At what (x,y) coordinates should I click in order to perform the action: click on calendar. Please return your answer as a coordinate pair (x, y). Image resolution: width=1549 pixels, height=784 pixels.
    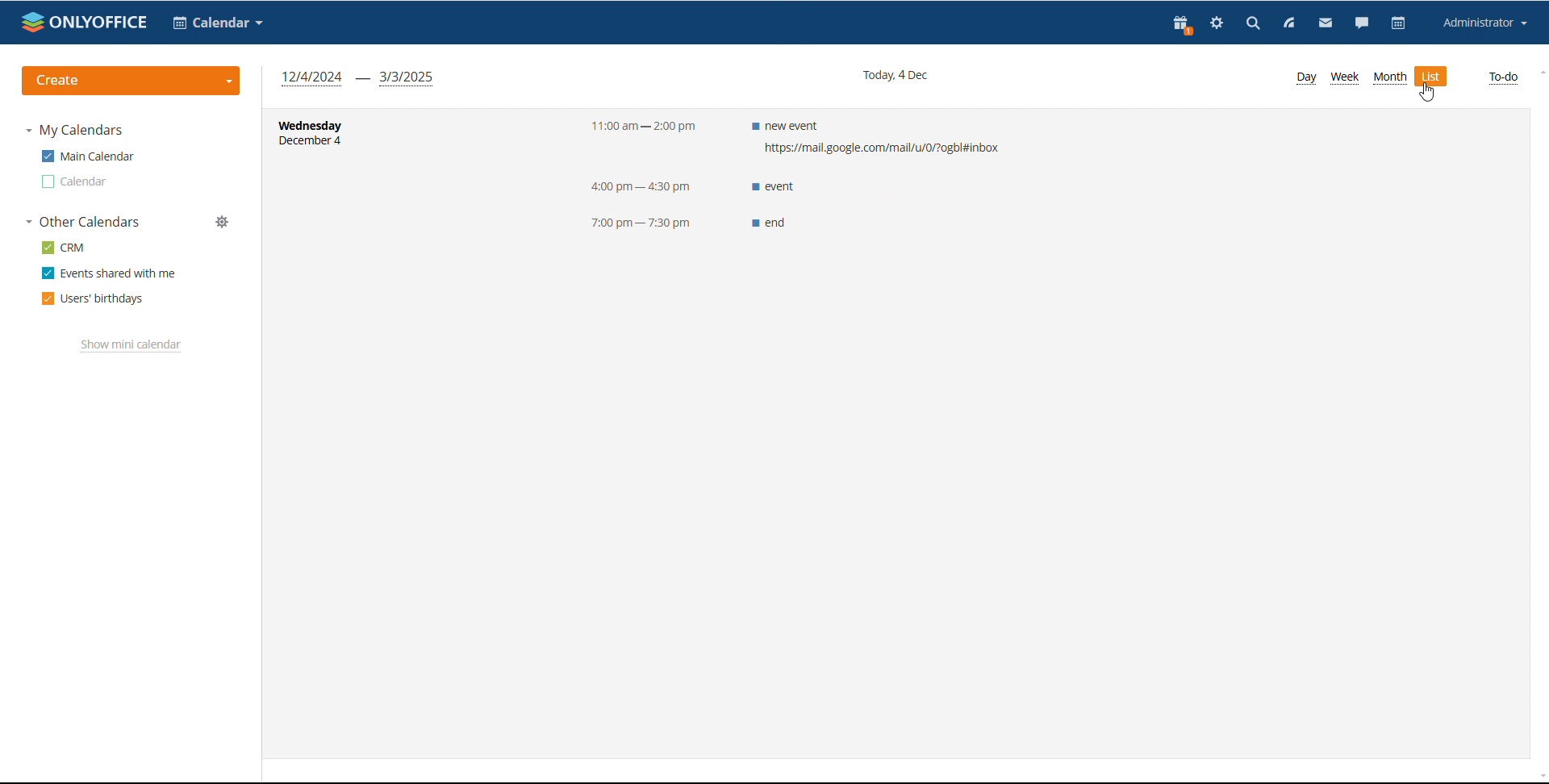
    Looking at the image, I should click on (74, 181).